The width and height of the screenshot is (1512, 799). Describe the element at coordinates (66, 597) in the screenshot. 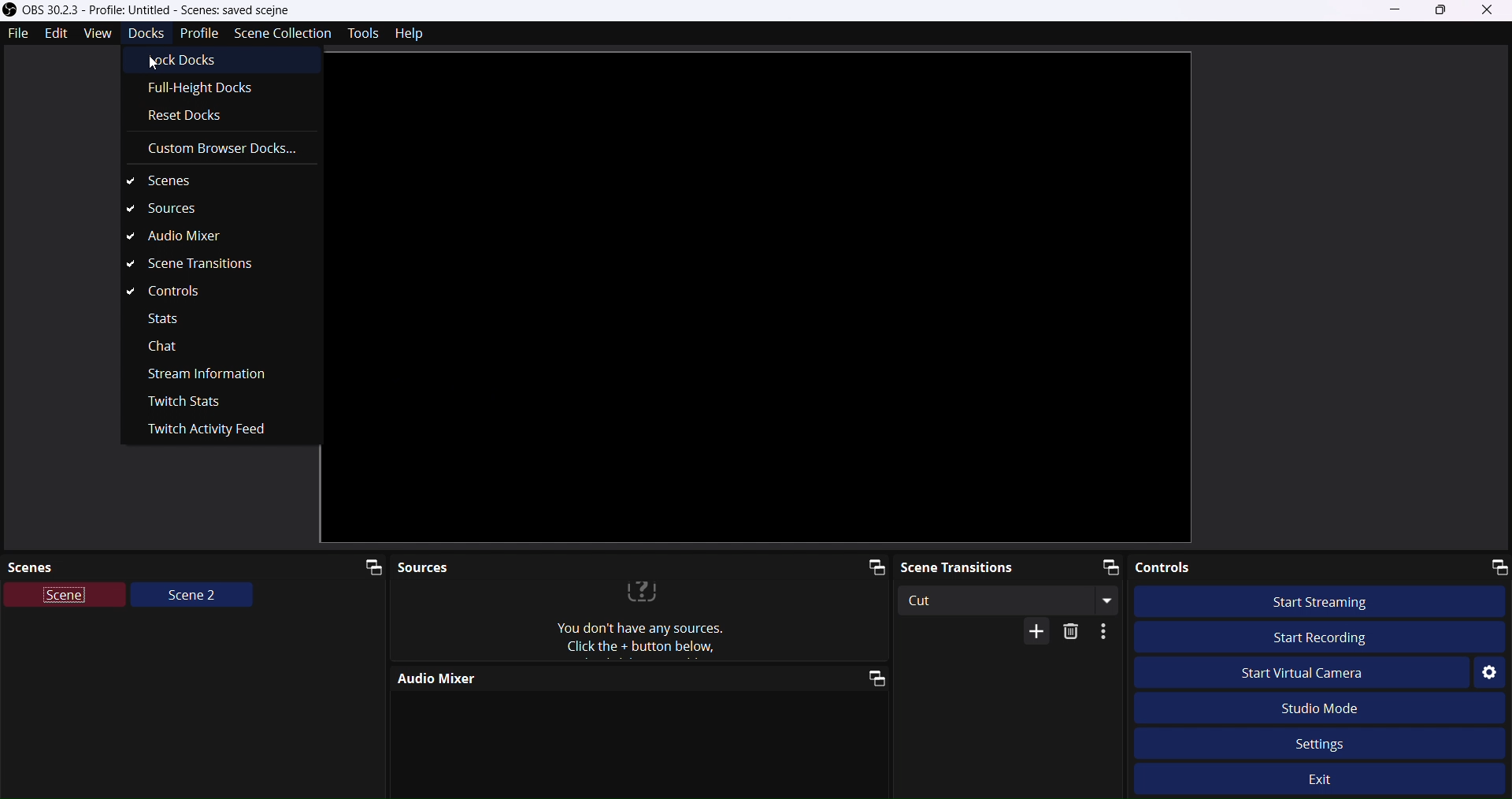

I see `Scene` at that location.